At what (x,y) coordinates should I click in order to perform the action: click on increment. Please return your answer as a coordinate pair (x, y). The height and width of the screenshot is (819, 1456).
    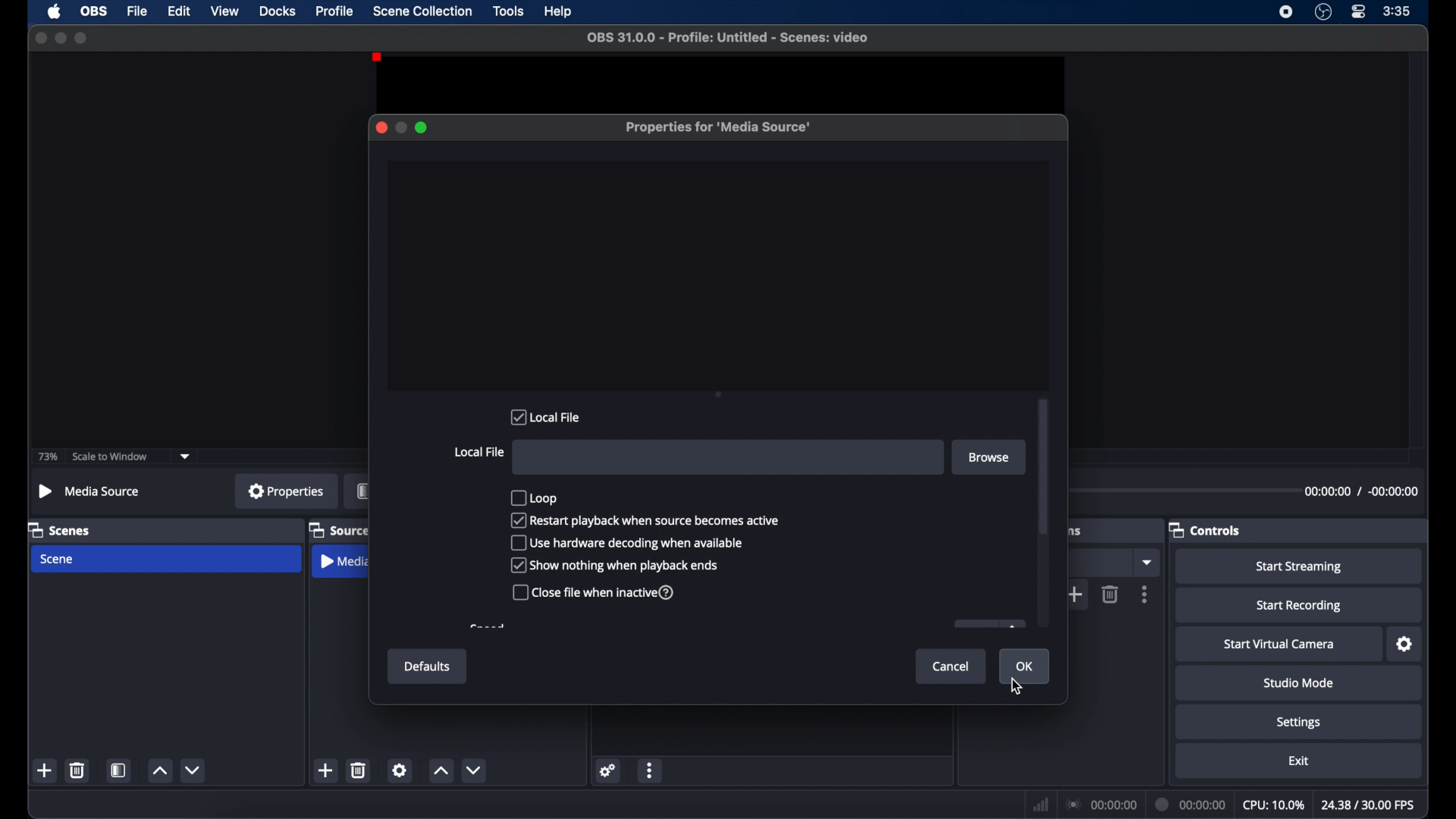
    Looking at the image, I should click on (159, 770).